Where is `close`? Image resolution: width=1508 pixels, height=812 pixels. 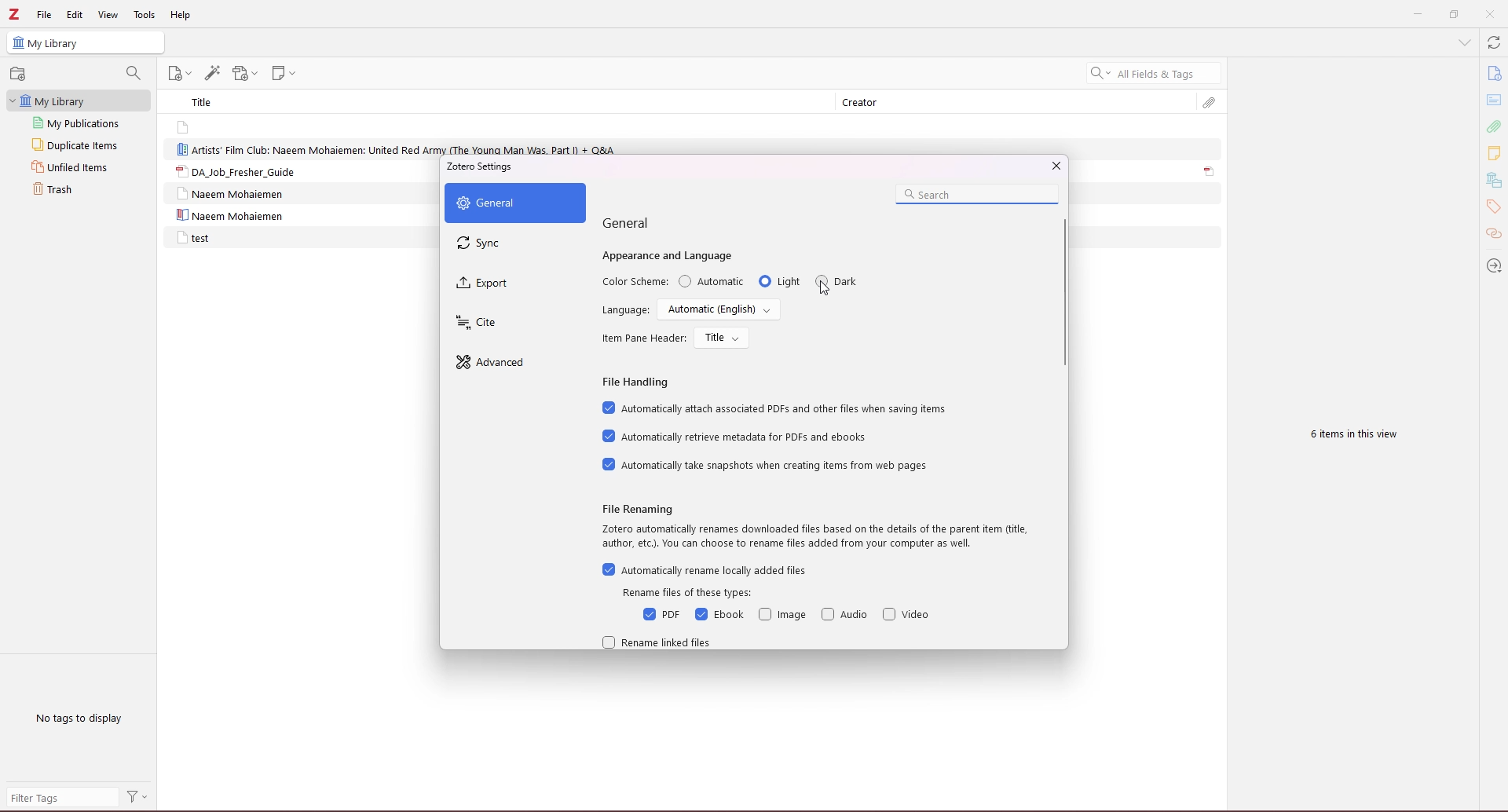
close is located at coordinates (1054, 166).